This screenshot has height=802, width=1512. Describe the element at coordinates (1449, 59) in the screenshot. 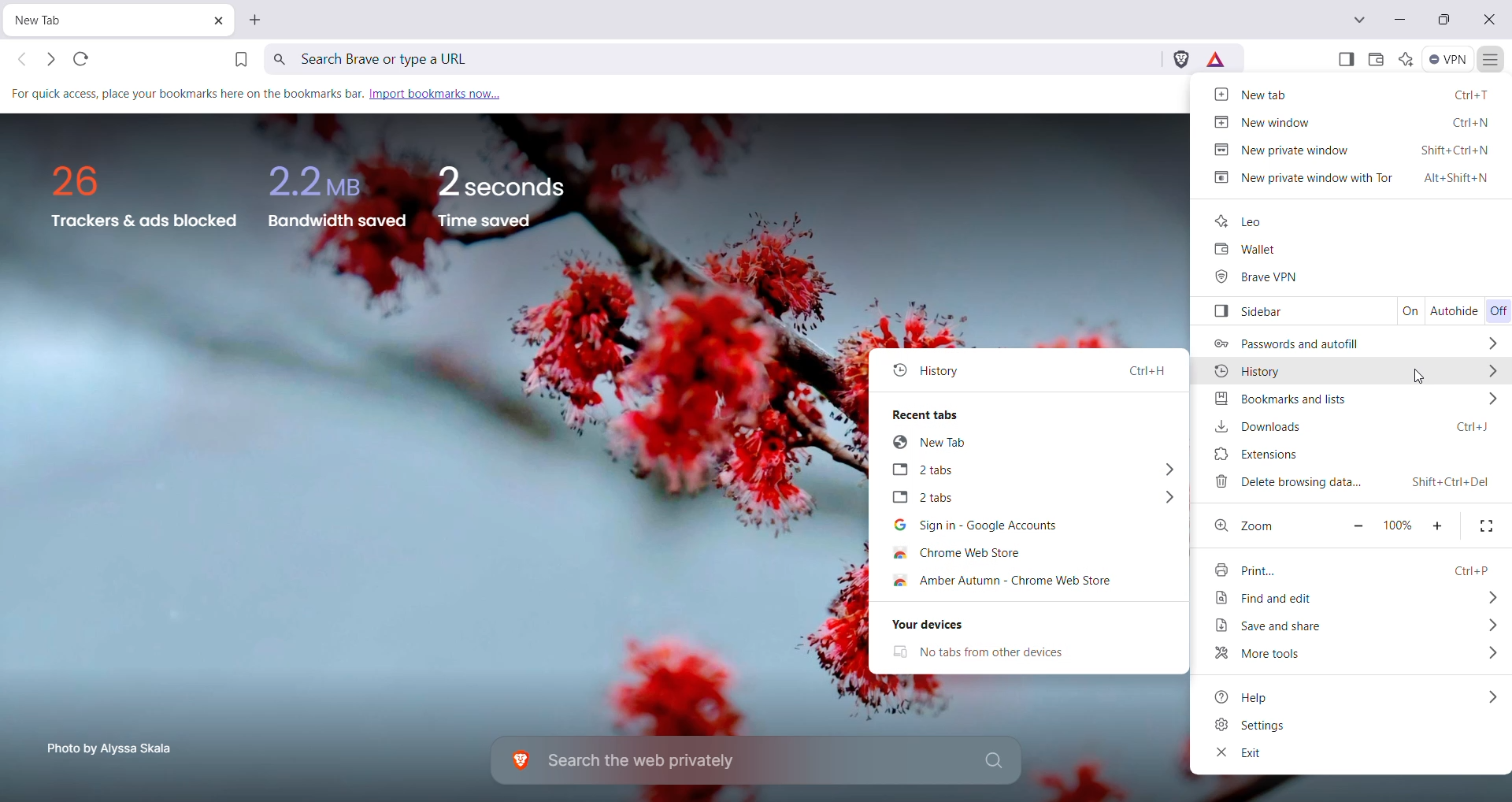

I see `Brave Firewall + VPN` at that location.